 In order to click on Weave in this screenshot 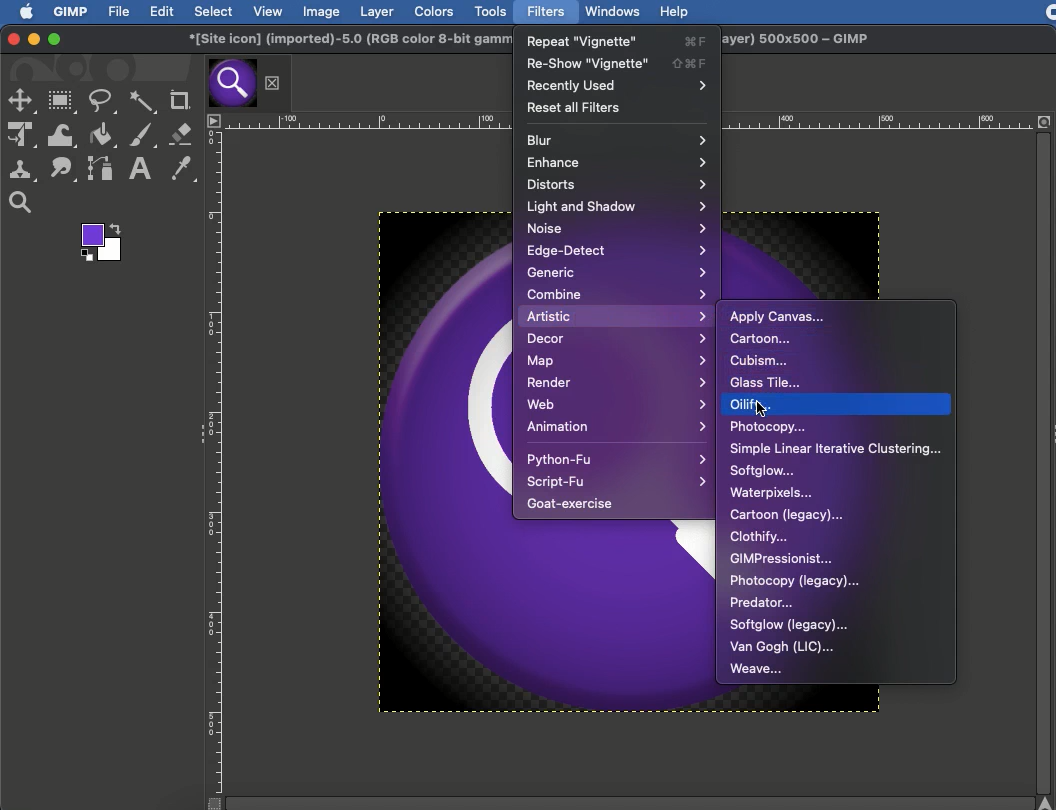, I will do `click(758, 668)`.